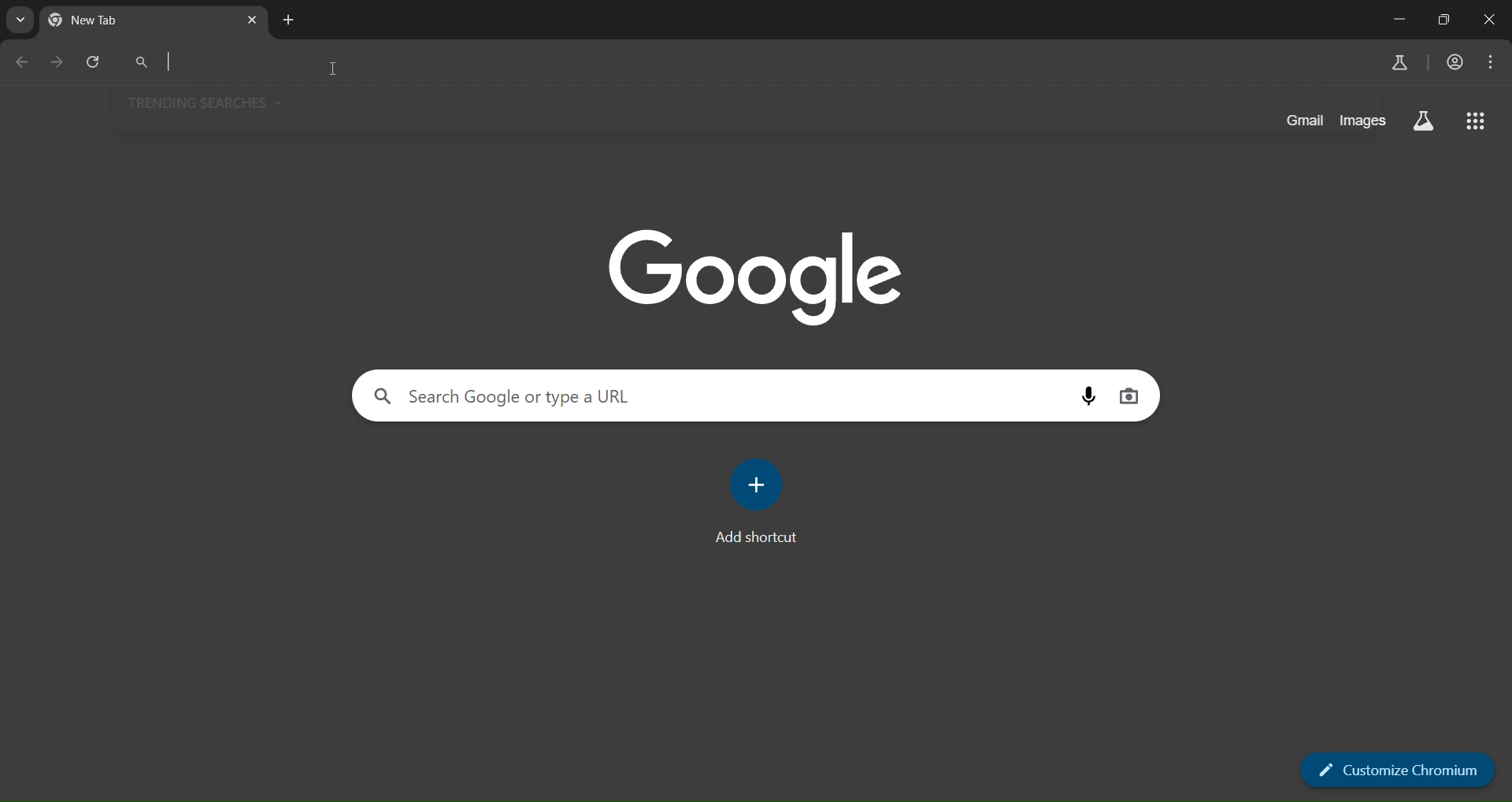  I want to click on restore down, so click(1449, 18).